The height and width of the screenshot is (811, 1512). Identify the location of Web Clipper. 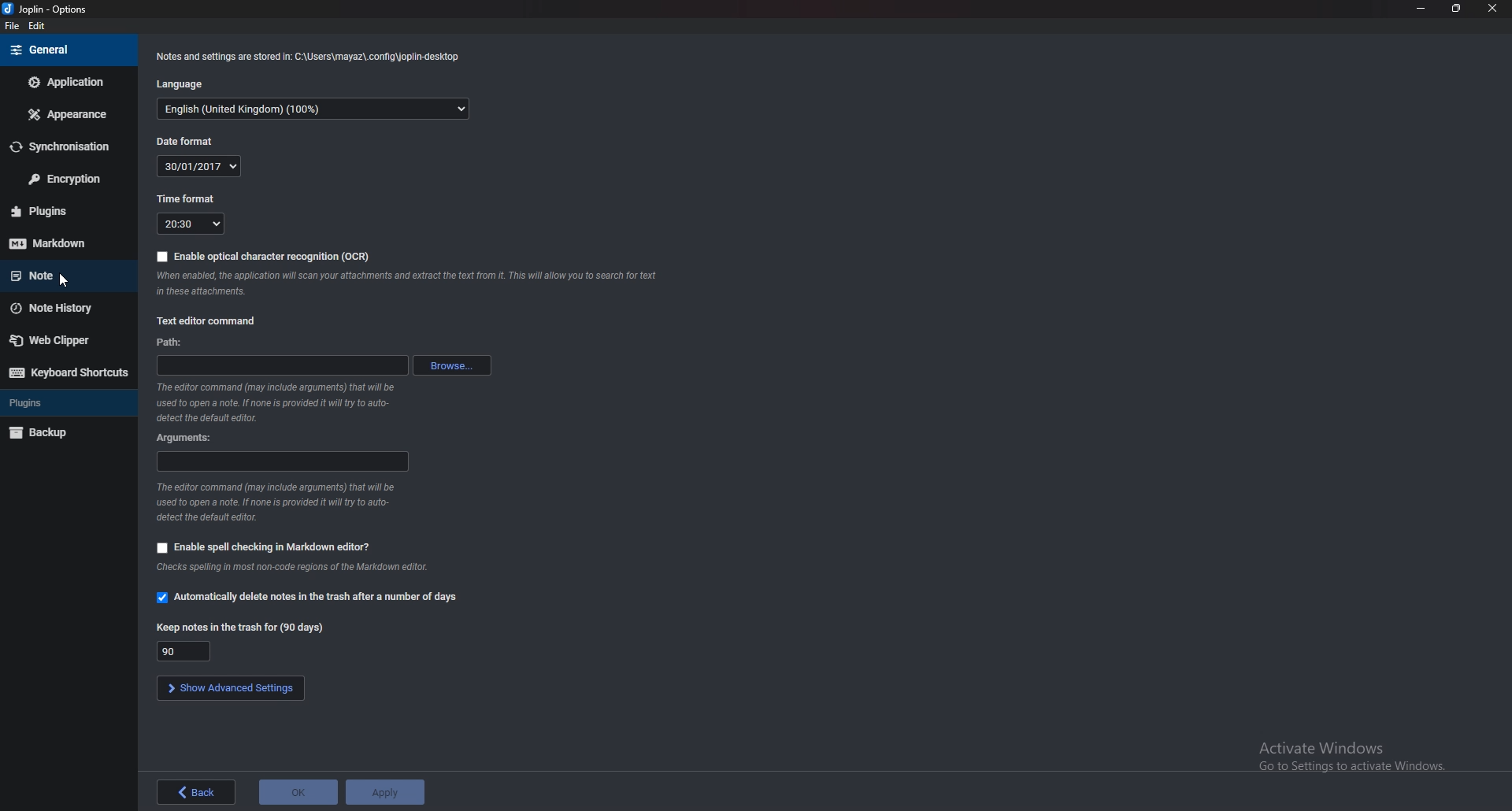
(63, 341).